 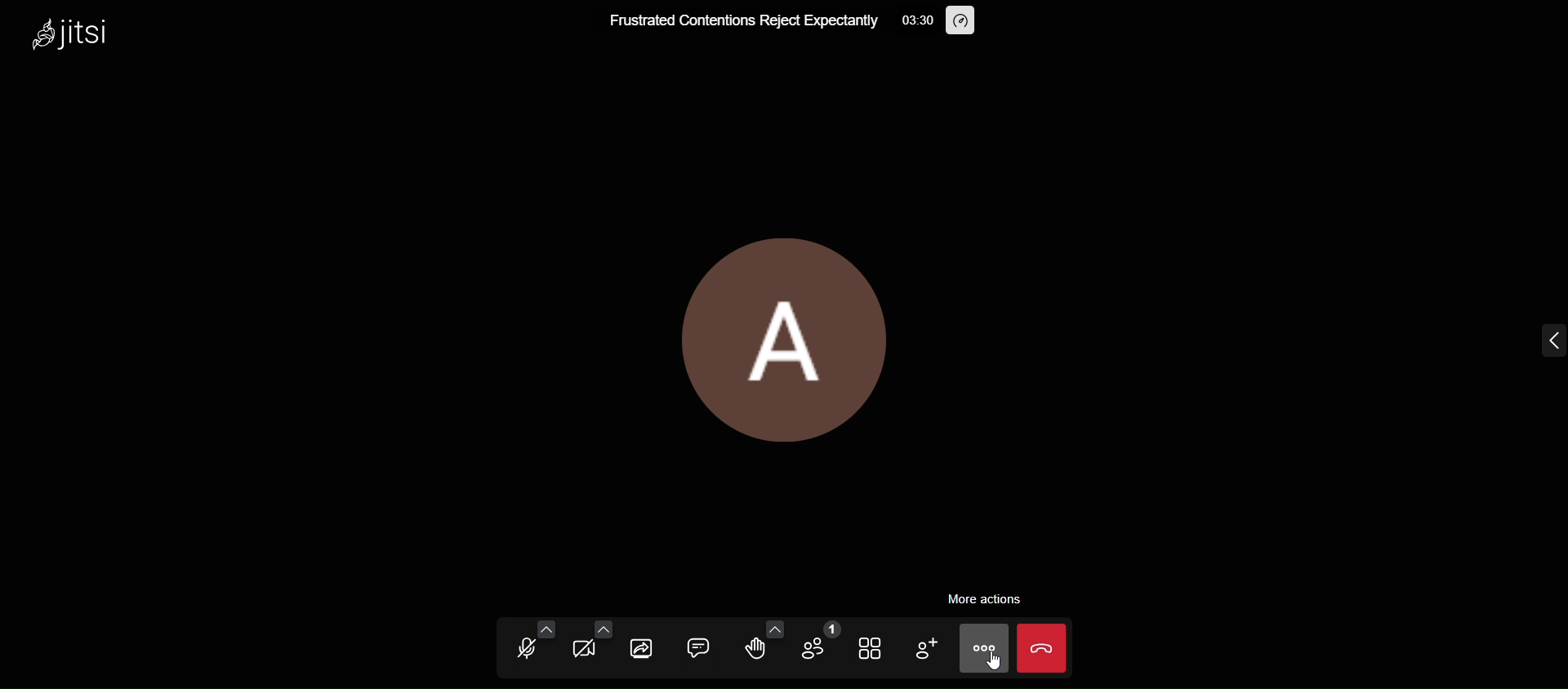 What do you see at coordinates (770, 620) in the screenshot?
I see `add more reactions` at bounding box center [770, 620].